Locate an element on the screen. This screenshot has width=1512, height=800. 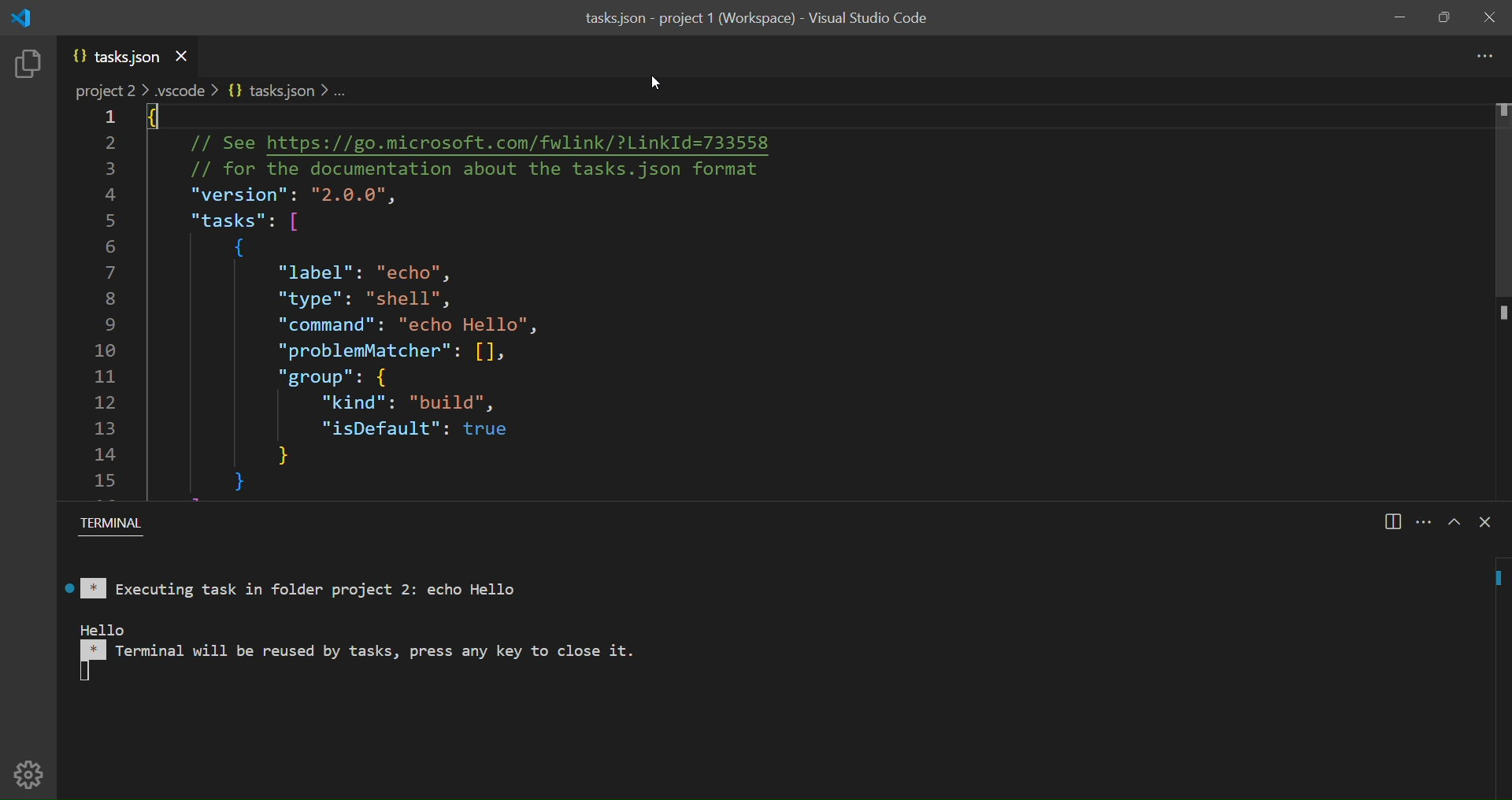
executing line icon is located at coordinates (1493, 583).